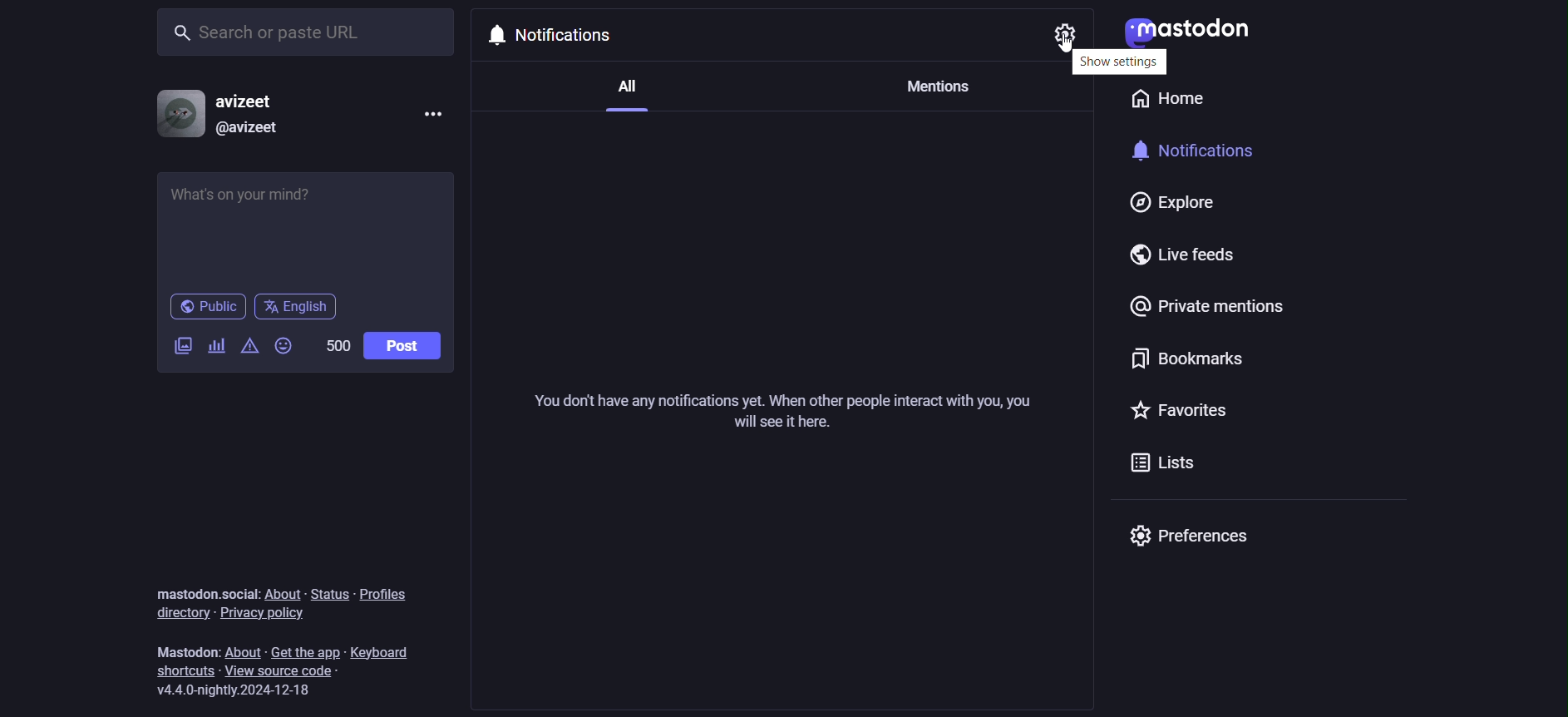 The width and height of the screenshot is (1568, 717). Describe the element at coordinates (1166, 98) in the screenshot. I see `home` at that location.